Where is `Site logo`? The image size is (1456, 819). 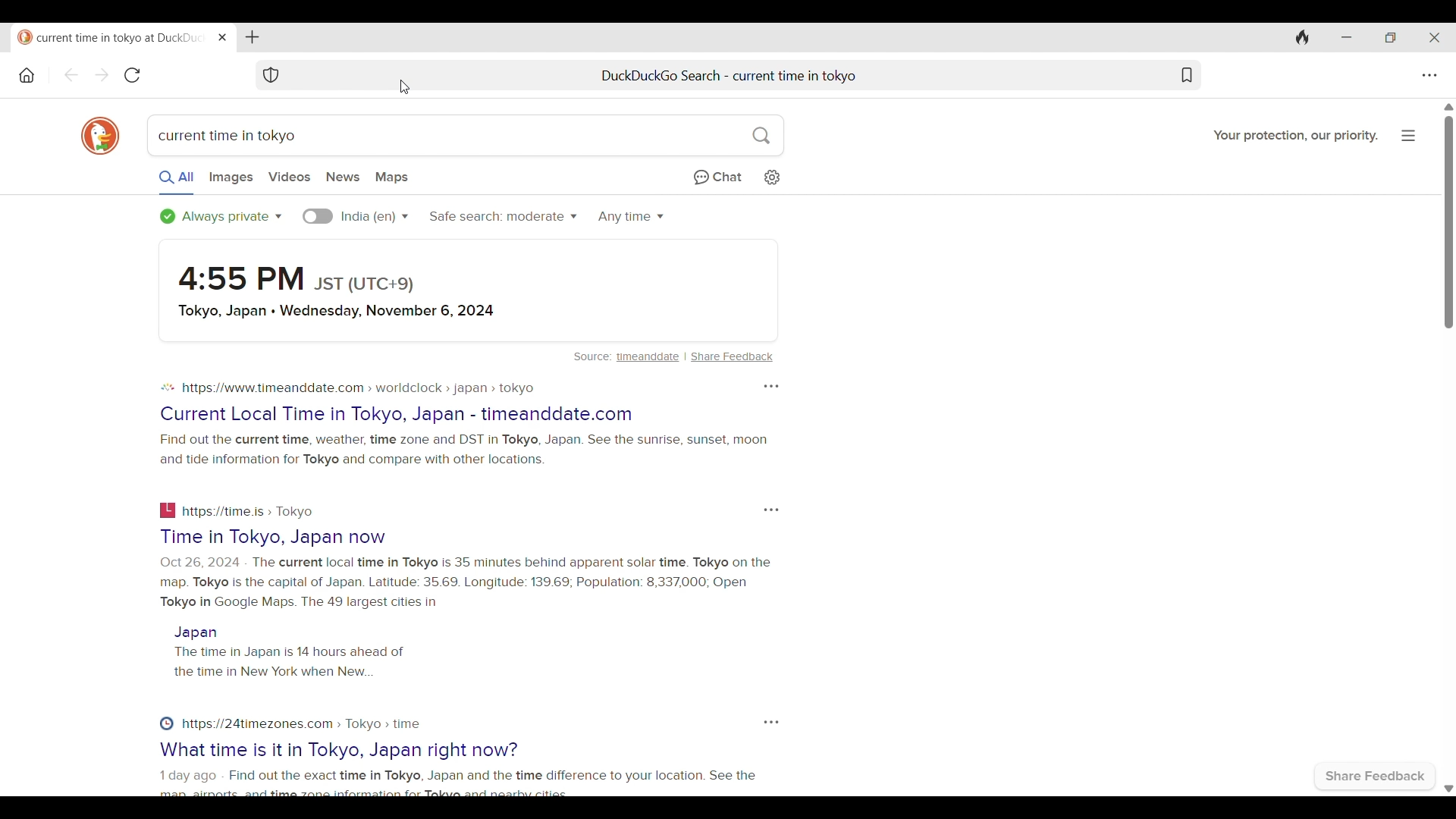
Site logo is located at coordinates (169, 510).